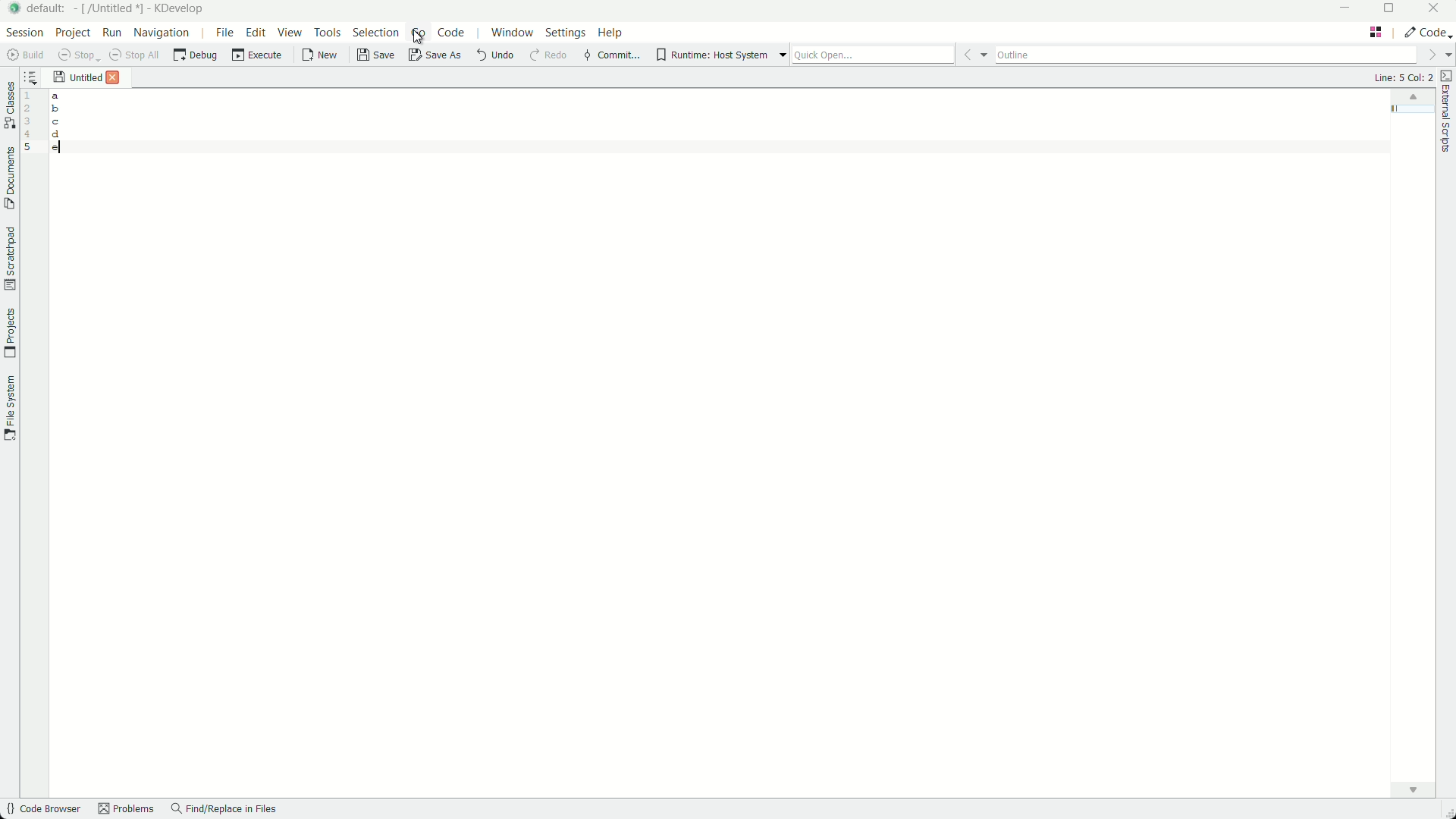 The height and width of the screenshot is (819, 1456). I want to click on new file, so click(317, 58).